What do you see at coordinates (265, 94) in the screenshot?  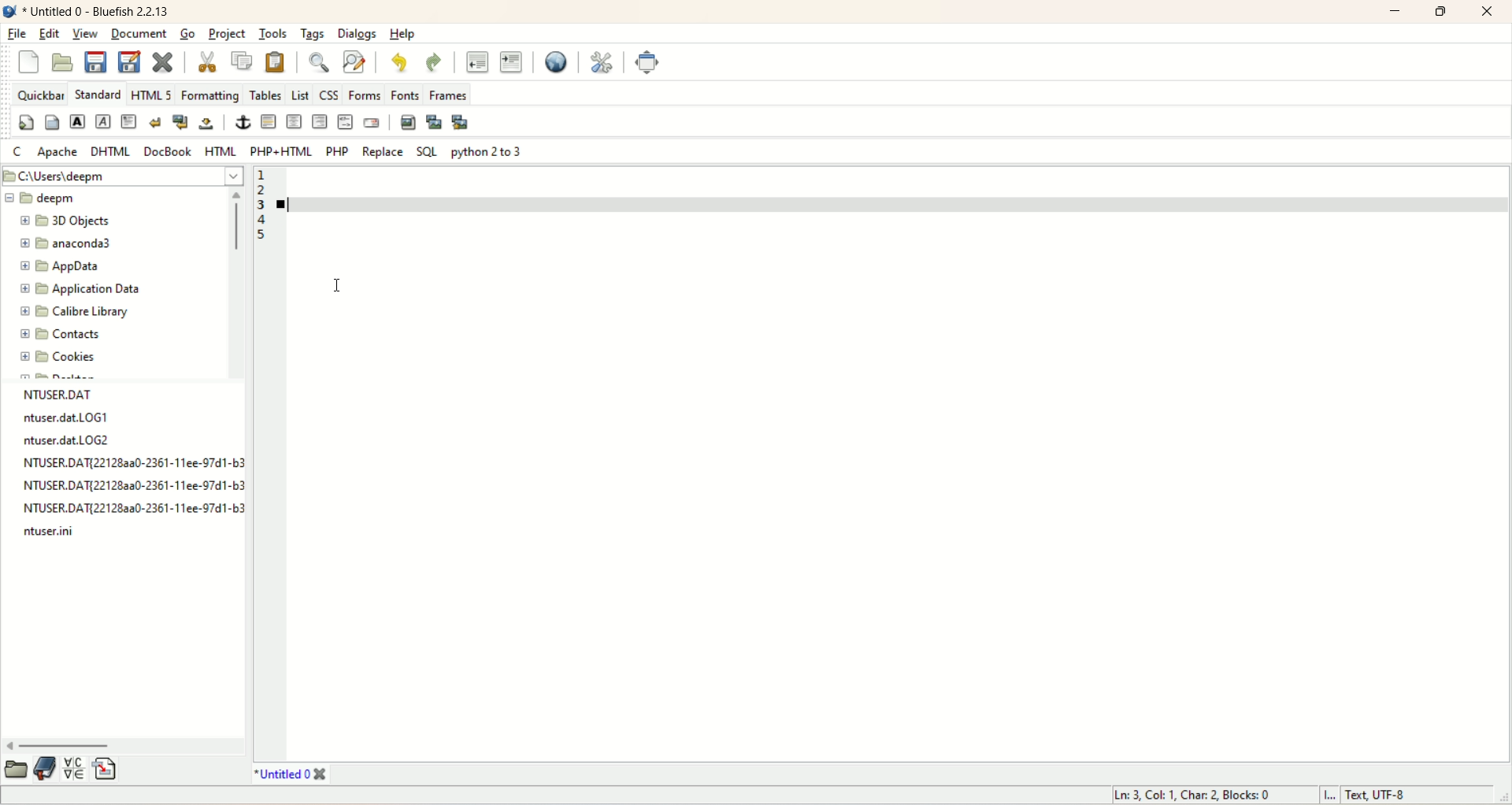 I see `tables` at bounding box center [265, 94].